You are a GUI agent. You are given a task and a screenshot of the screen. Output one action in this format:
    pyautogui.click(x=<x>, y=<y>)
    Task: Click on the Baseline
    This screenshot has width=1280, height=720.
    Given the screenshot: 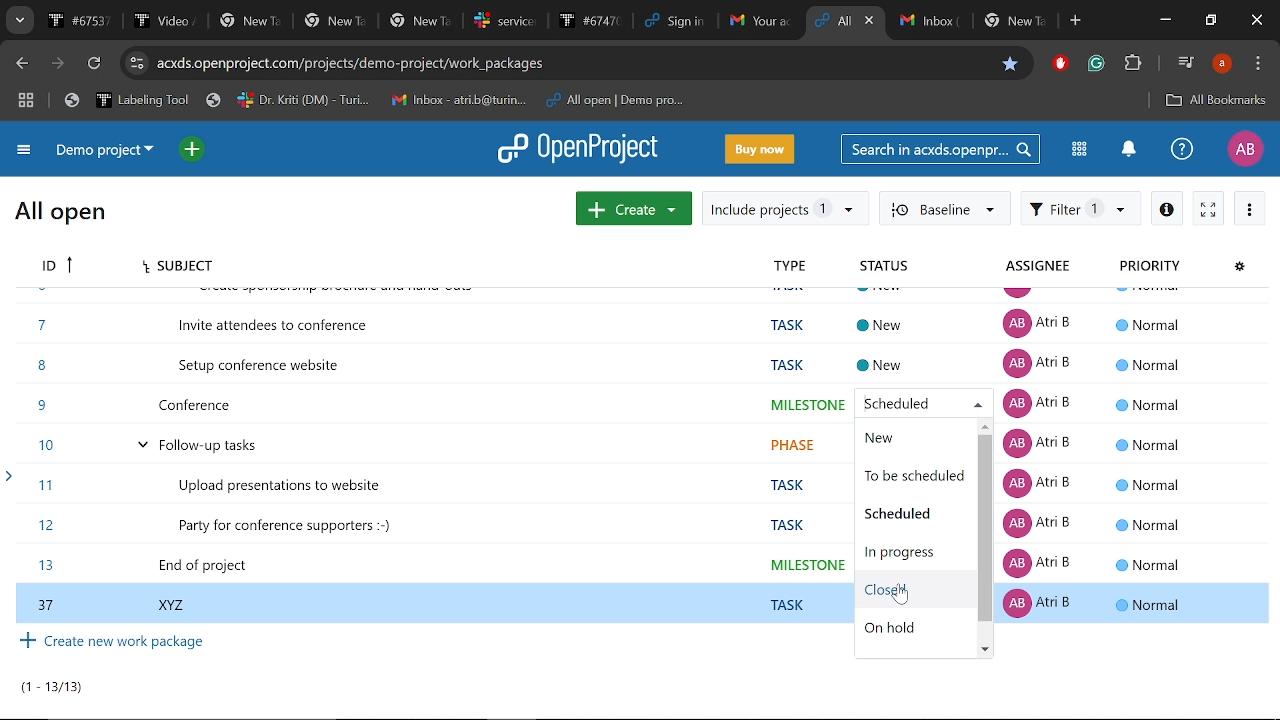 What is the action you would take?
    pyautogui.click(x=945, y=206)
    